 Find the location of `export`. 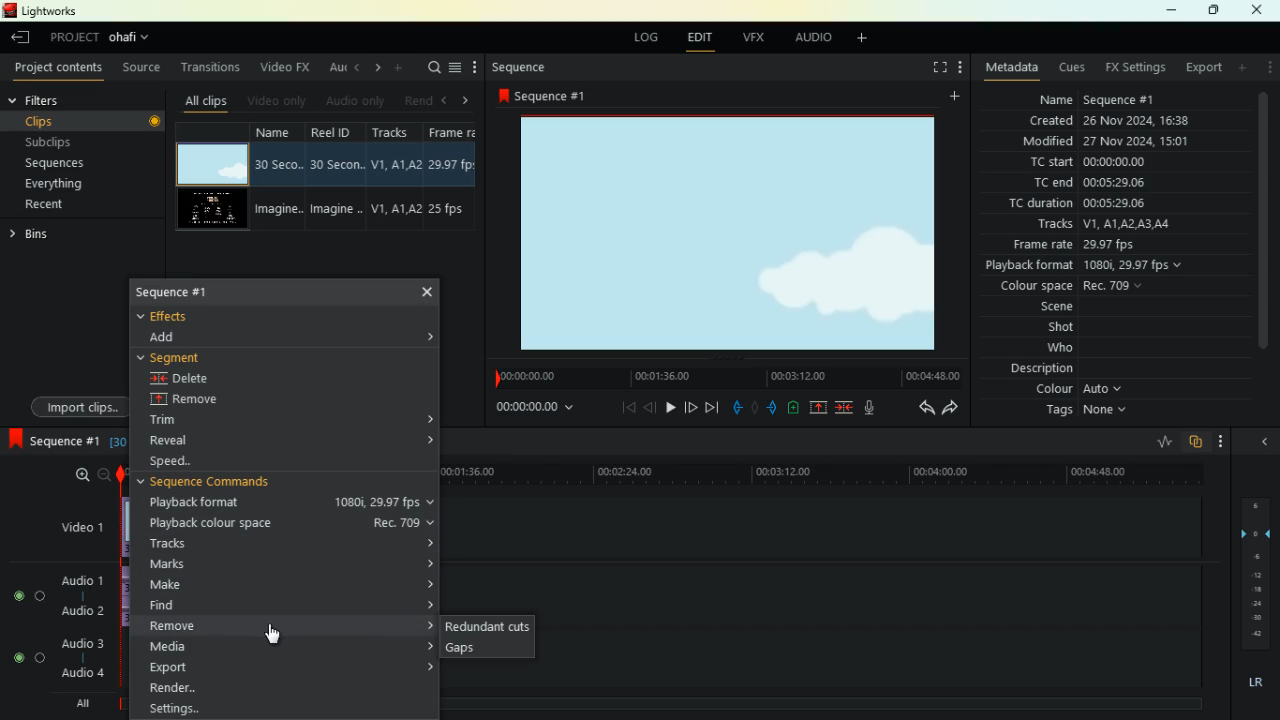

export is located at coordinates (290, 669).